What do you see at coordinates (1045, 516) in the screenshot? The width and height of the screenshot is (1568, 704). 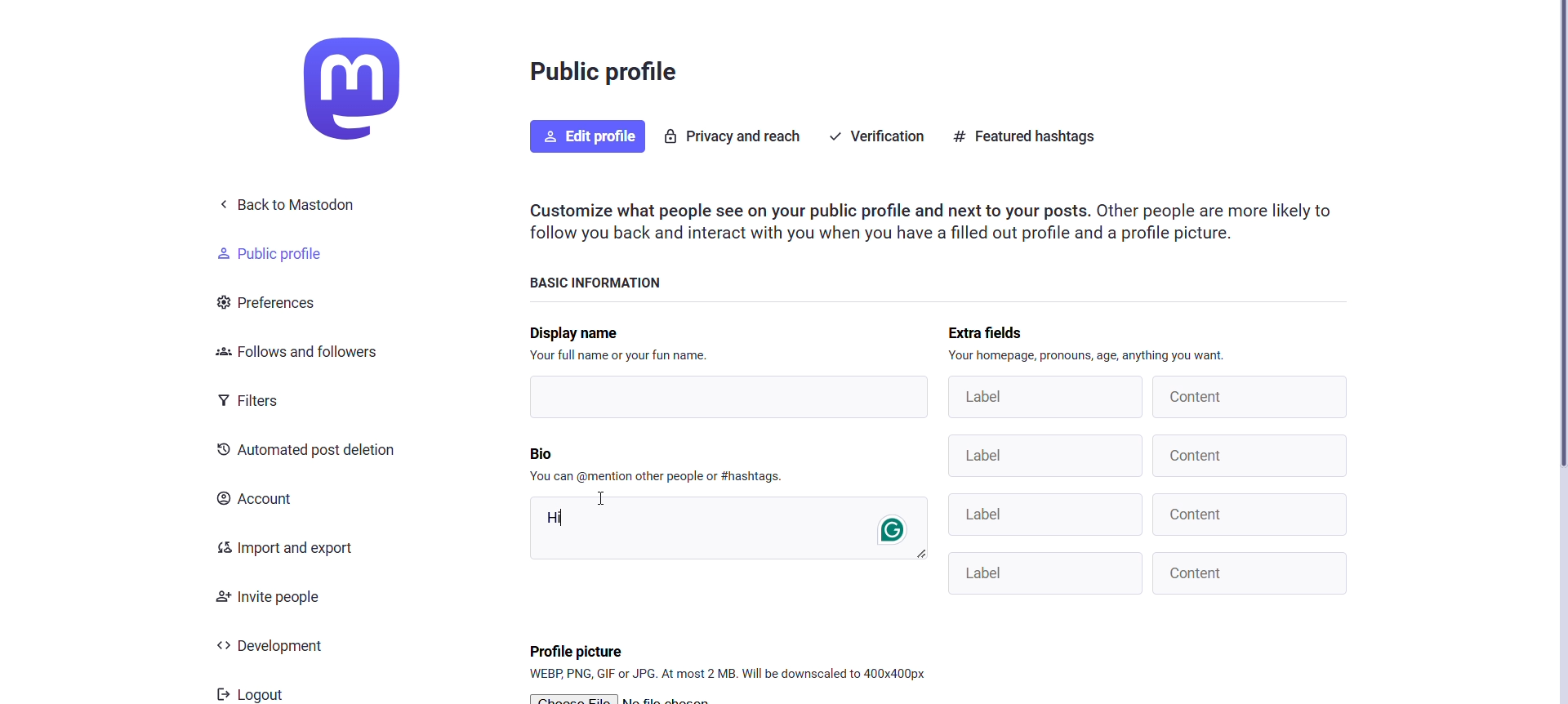 I see `Label` at bounding box center [1045, 516].